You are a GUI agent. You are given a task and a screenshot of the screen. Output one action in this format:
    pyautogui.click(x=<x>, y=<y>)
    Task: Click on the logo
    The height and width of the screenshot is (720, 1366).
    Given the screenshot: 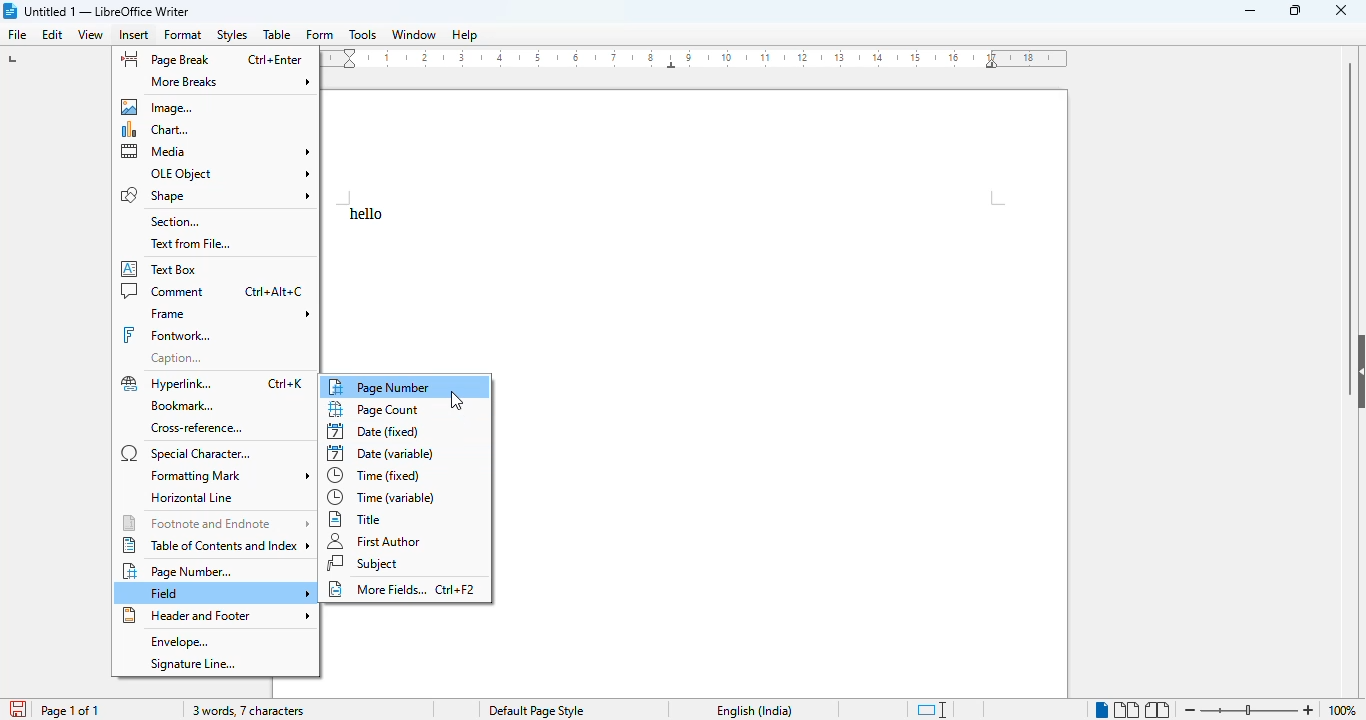 What is the action you would take?
    pyautogui.click(x=9, y=11)
    